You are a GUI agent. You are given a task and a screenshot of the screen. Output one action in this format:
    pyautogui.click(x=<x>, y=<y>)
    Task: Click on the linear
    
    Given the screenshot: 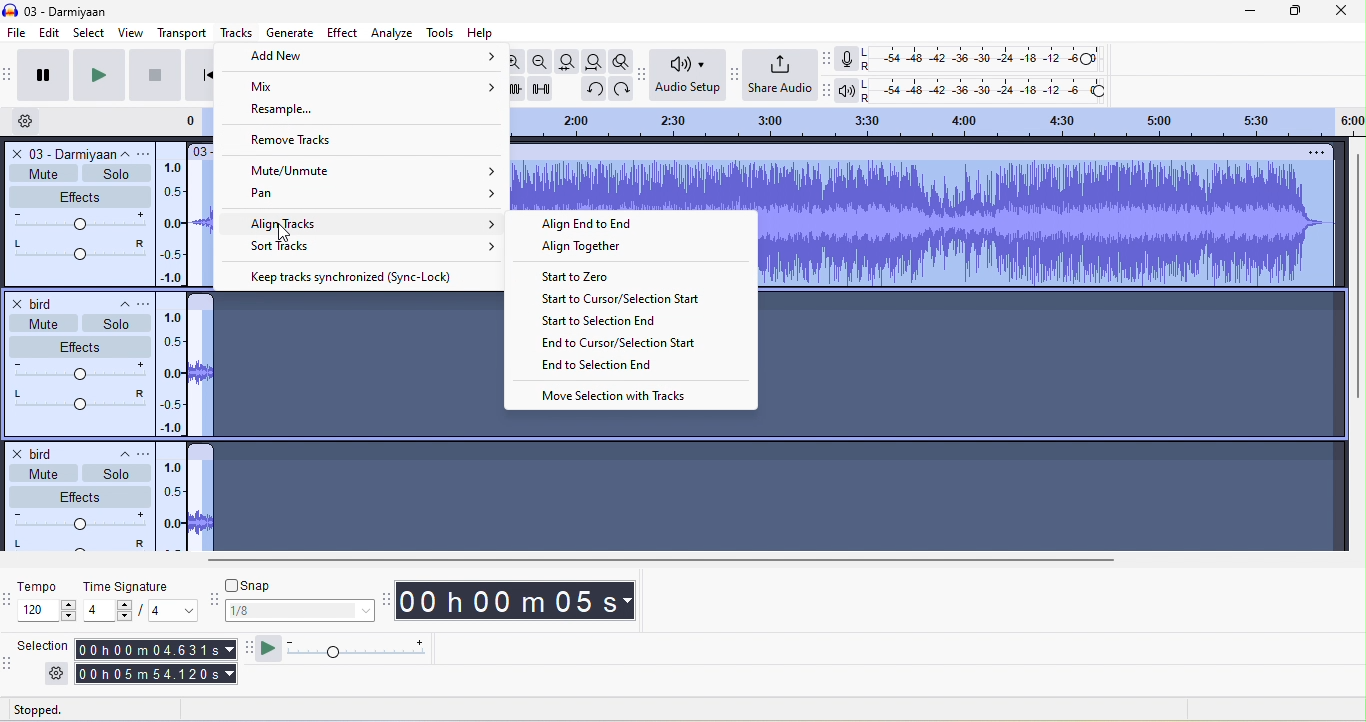 What is the action you would take?
    pyautogui.click(x=173, y=216)
    